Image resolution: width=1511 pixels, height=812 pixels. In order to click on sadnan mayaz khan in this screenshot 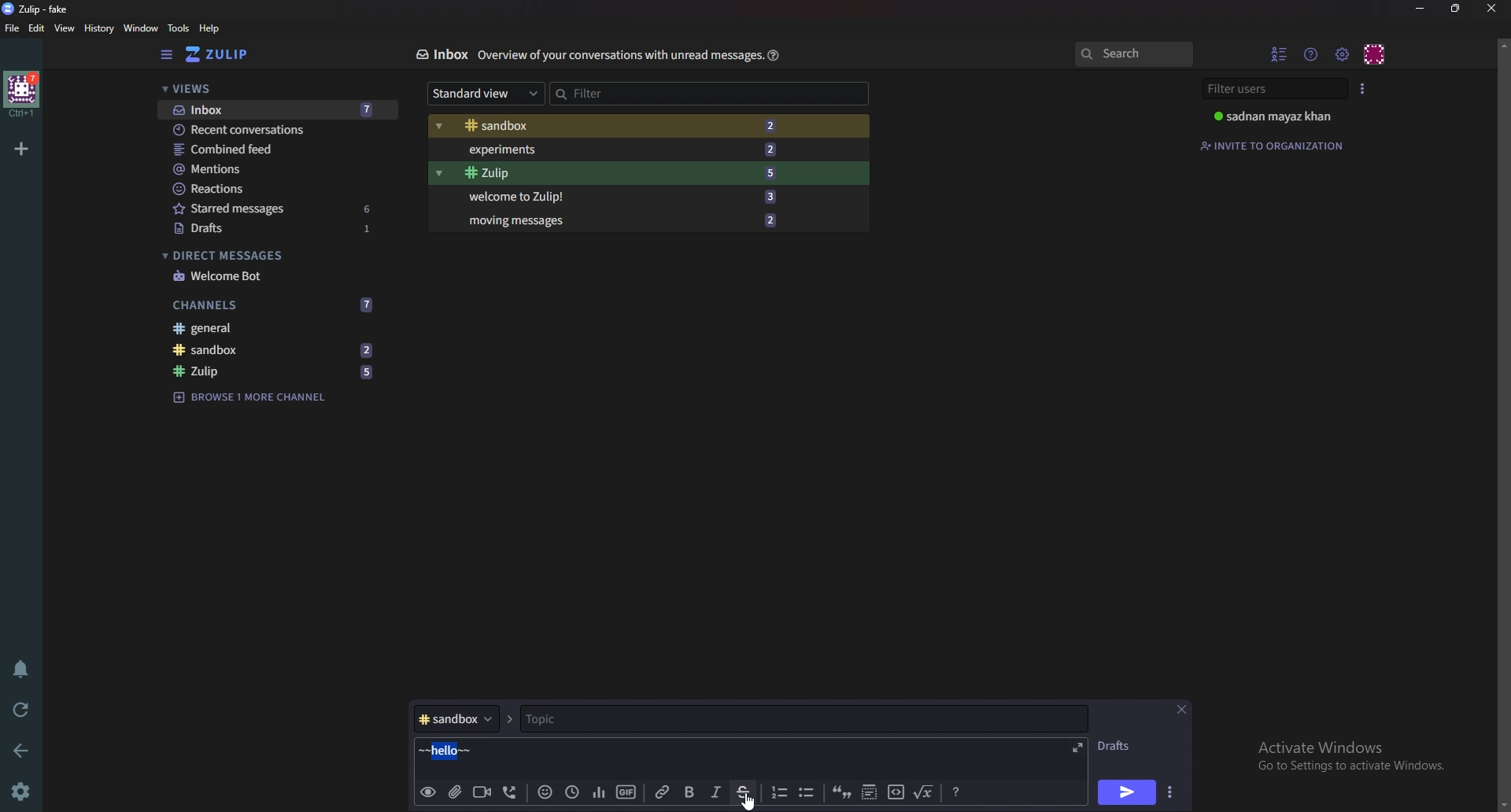, I will do `click(1280, 115)`.